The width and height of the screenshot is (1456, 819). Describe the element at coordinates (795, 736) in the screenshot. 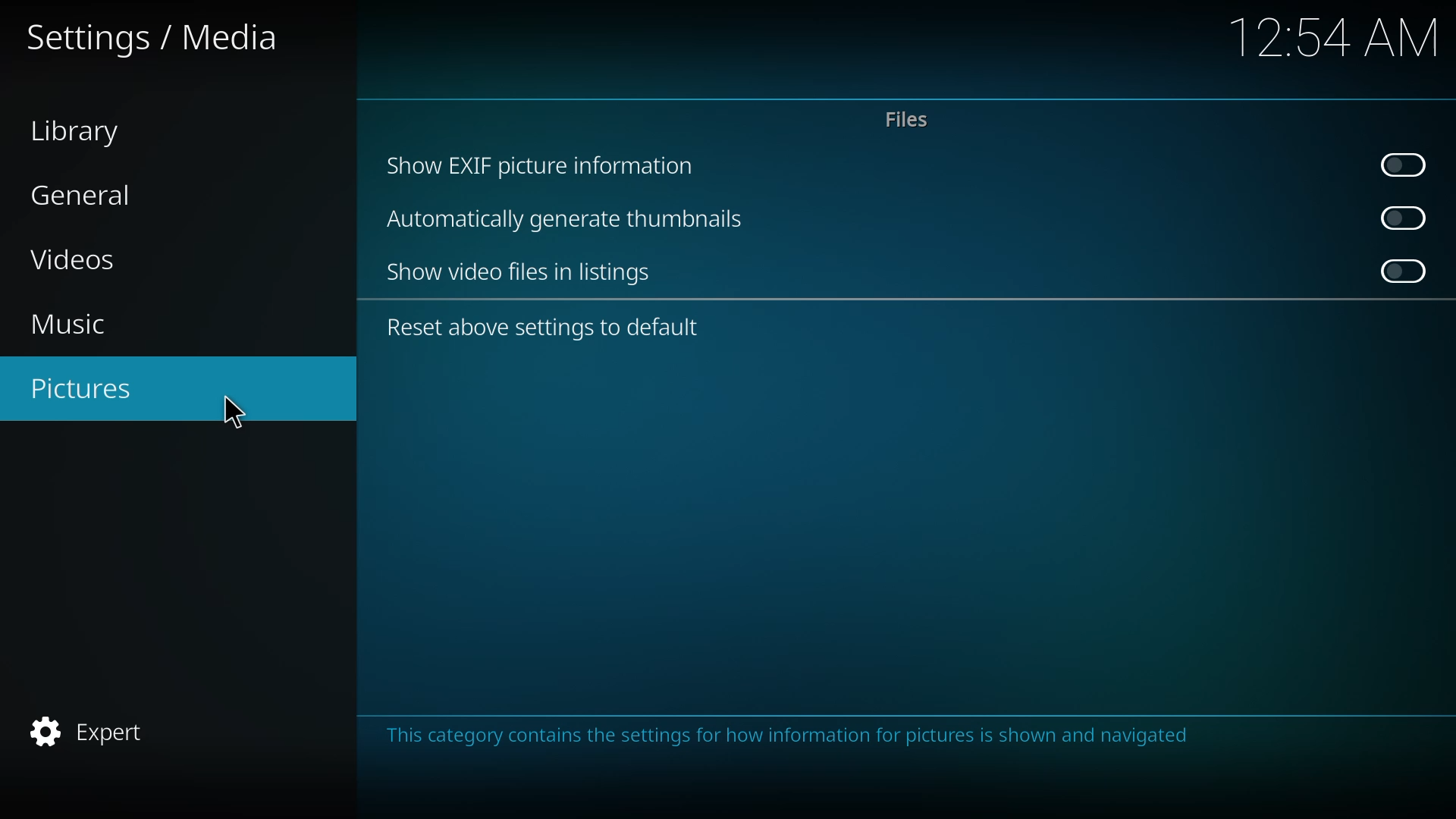

I see `info` at that location.